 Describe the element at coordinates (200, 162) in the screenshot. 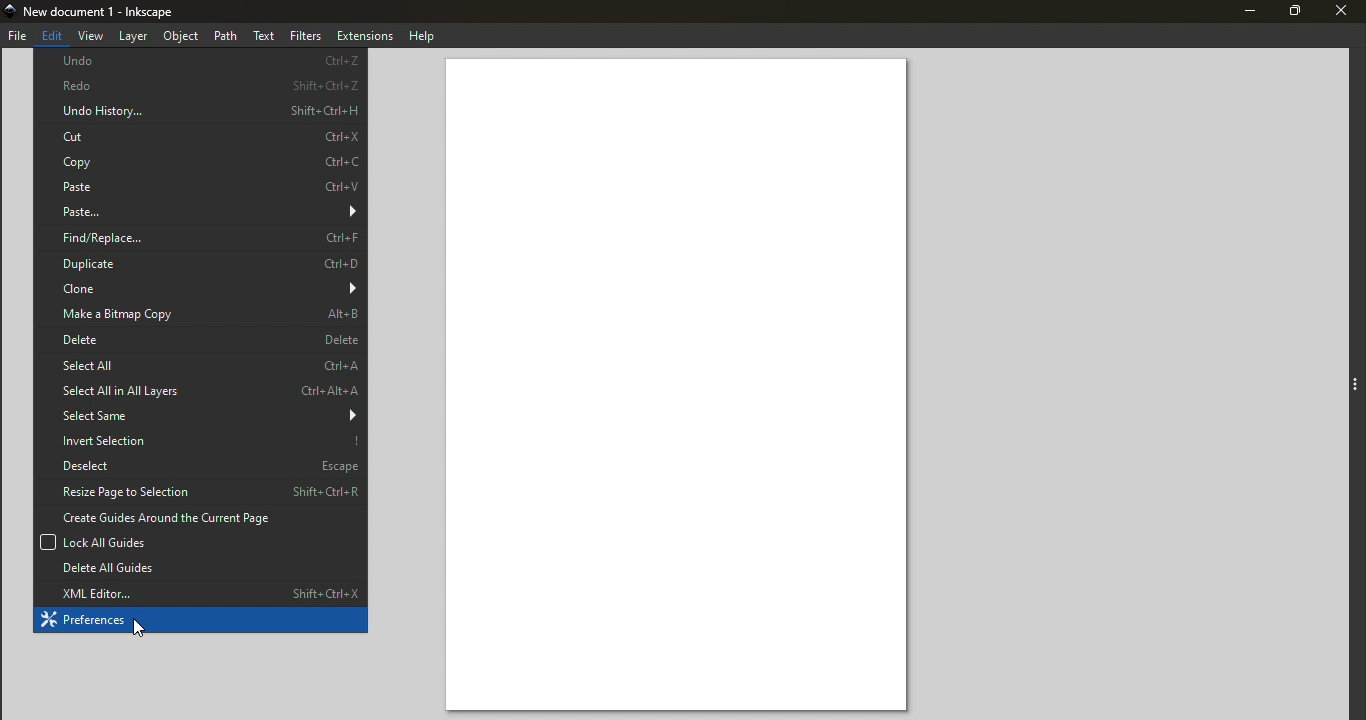

I see `Copy` at that location.